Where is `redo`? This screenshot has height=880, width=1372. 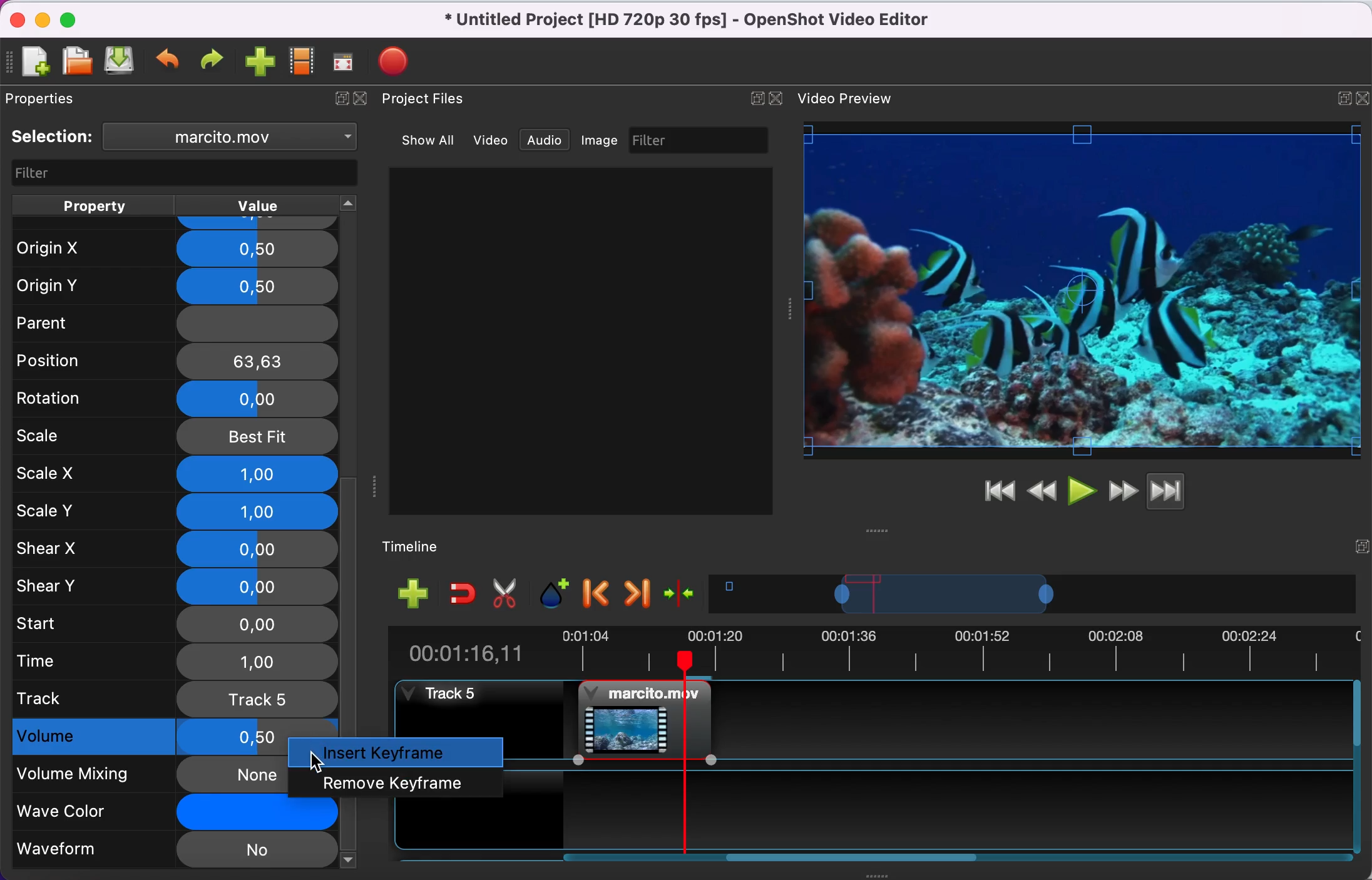 redo is located at coordinates (215, 61).